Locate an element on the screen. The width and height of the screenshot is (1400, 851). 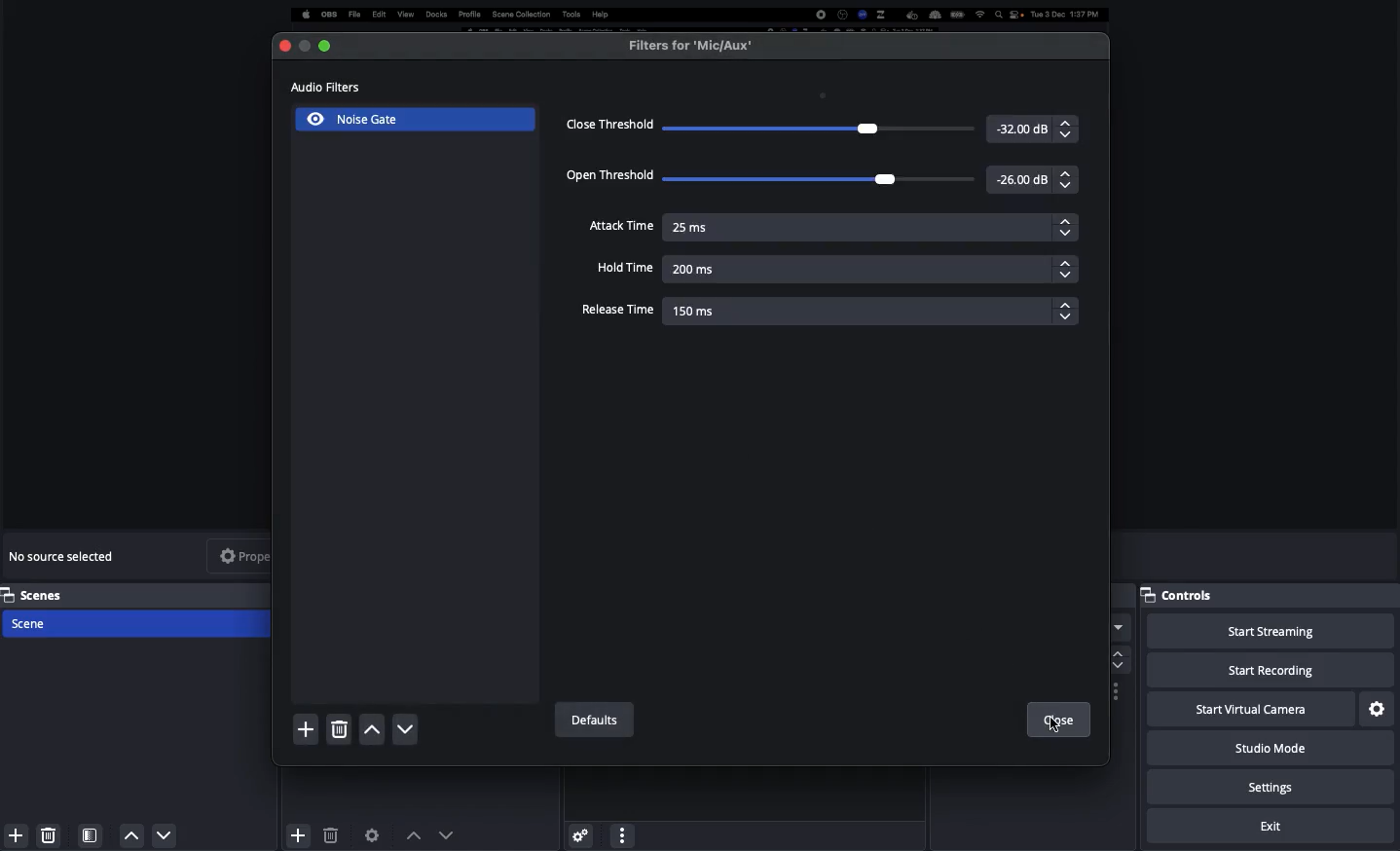
Settings is located at coordinates (579, 832).